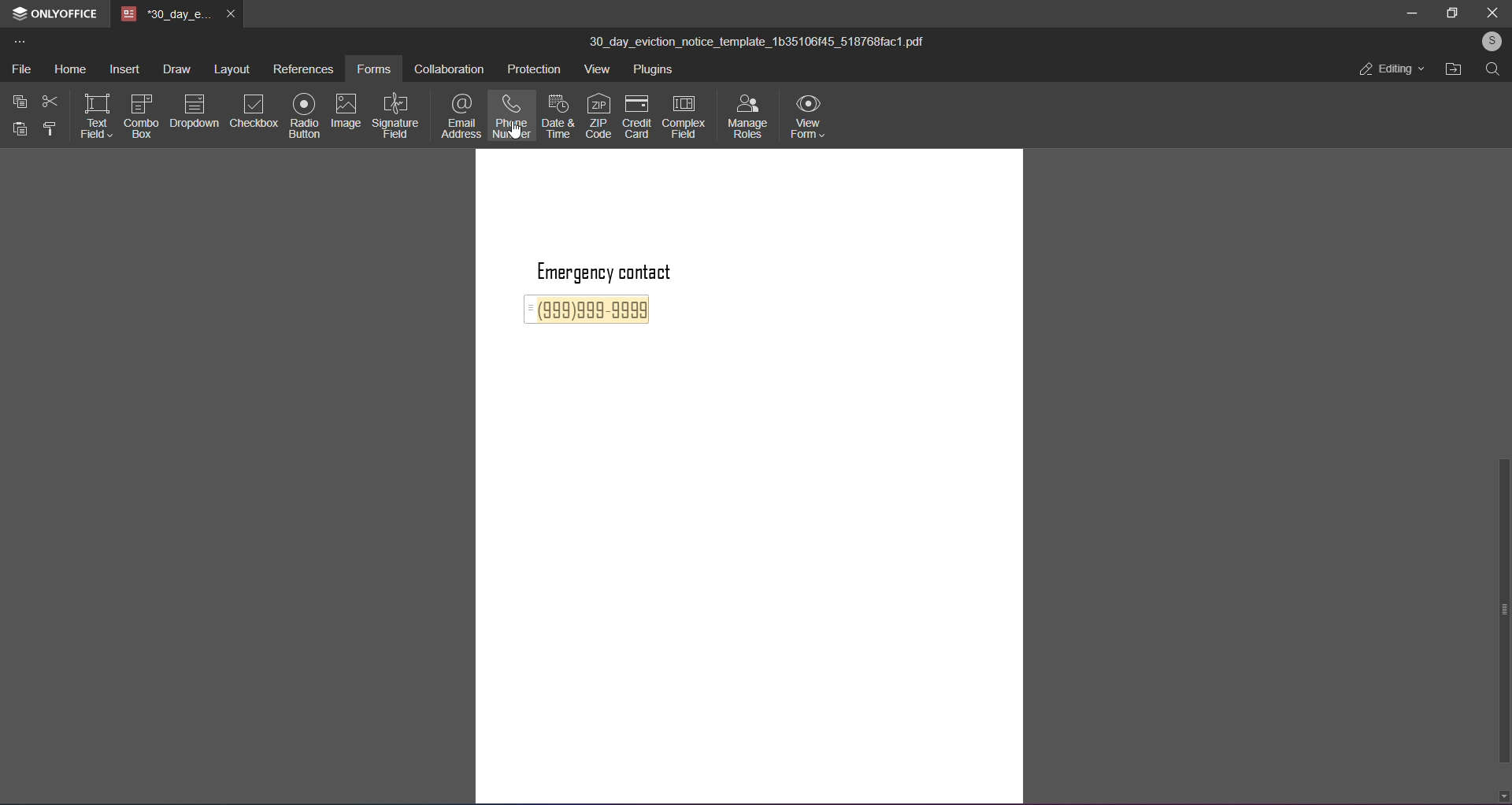 The image size is (1512, 805). I want to click on signature, so click(398, 115).